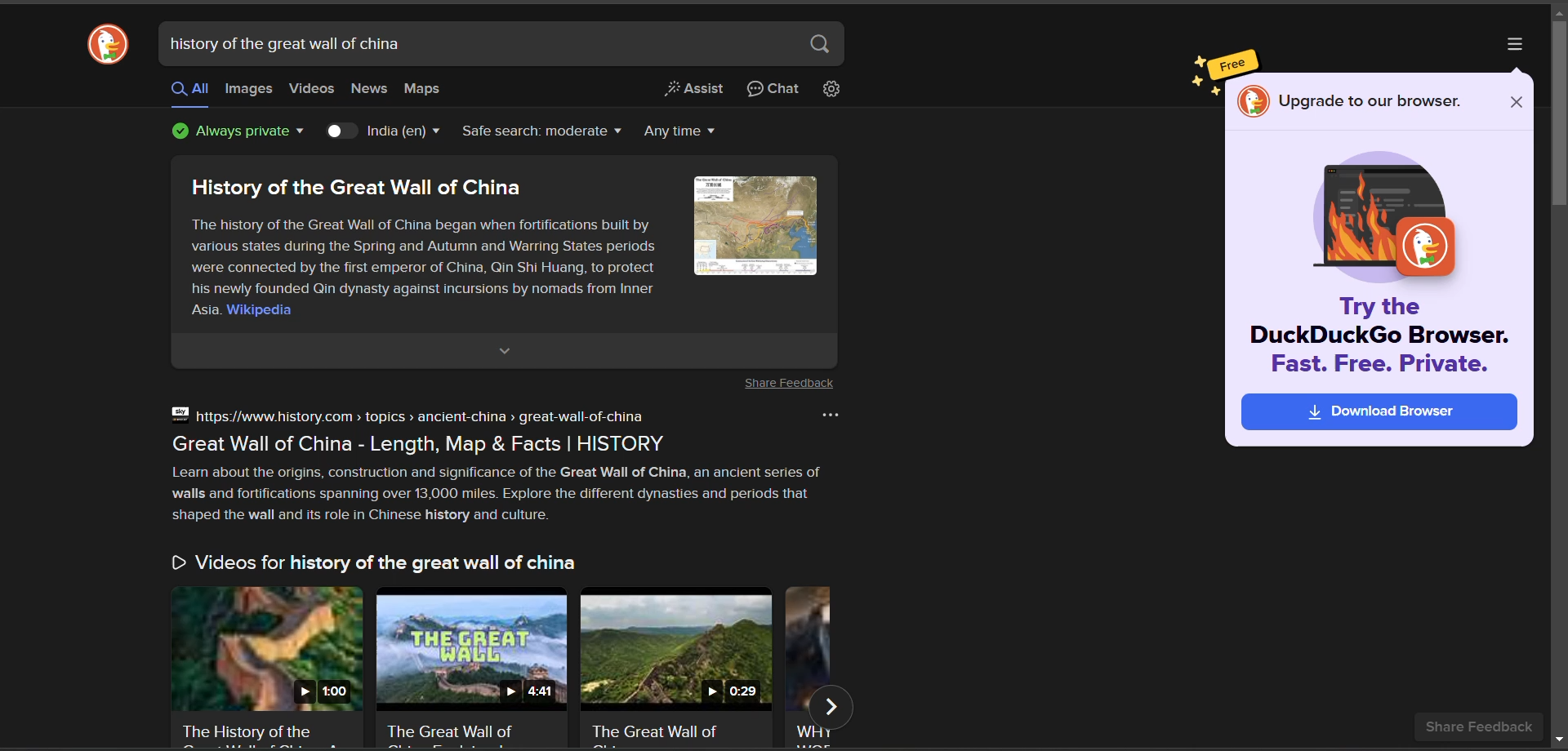 This screenshot has width=1568, height=751. What do you see at coordinates (264, 666) in the screenshot?
I see `video thumbnail and title` at bounding box center [264, 666].